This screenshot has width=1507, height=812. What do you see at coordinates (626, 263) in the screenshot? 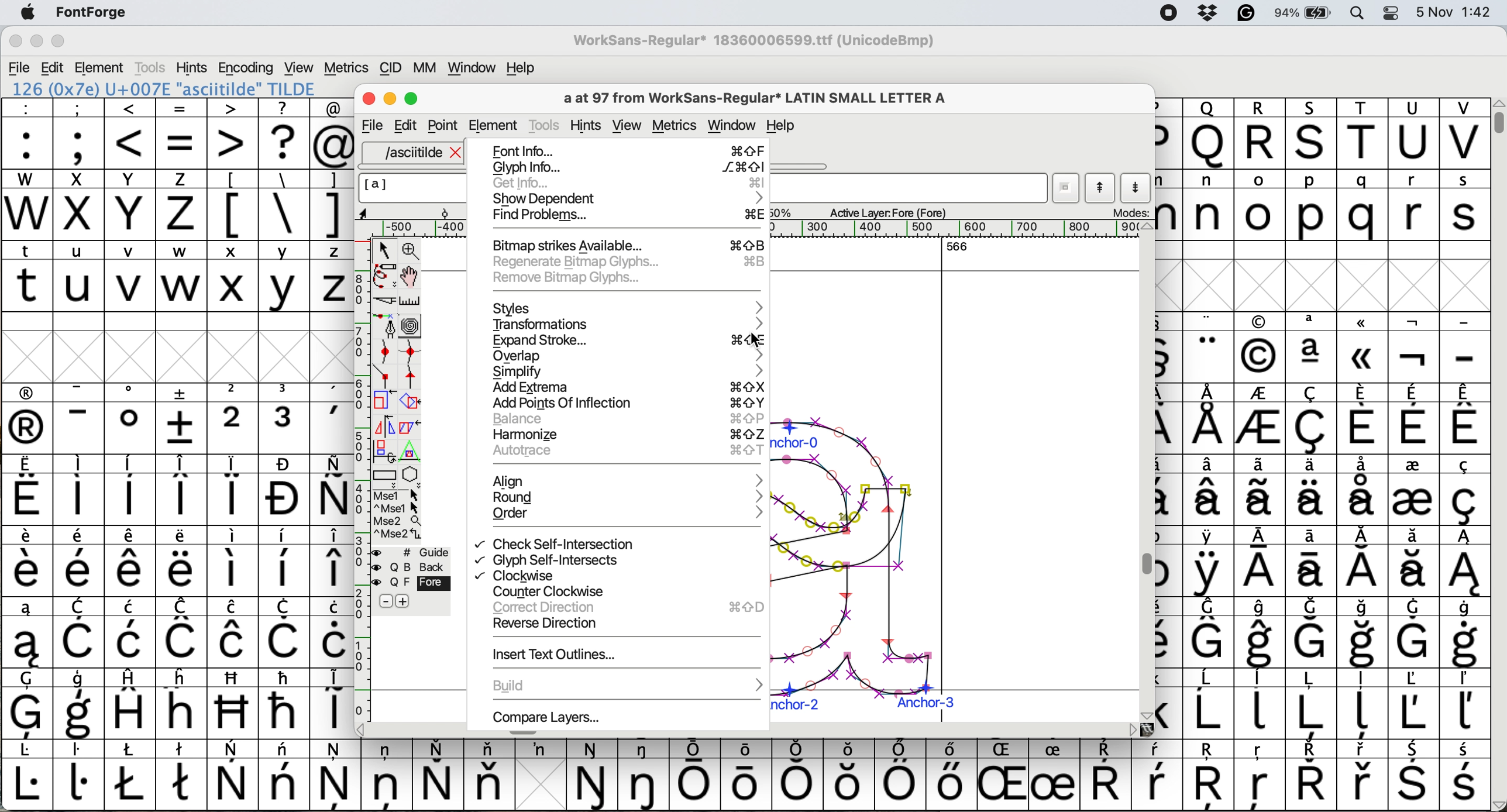
I see `regenrate bitmap glyphs` at bounding box center [626, 263].